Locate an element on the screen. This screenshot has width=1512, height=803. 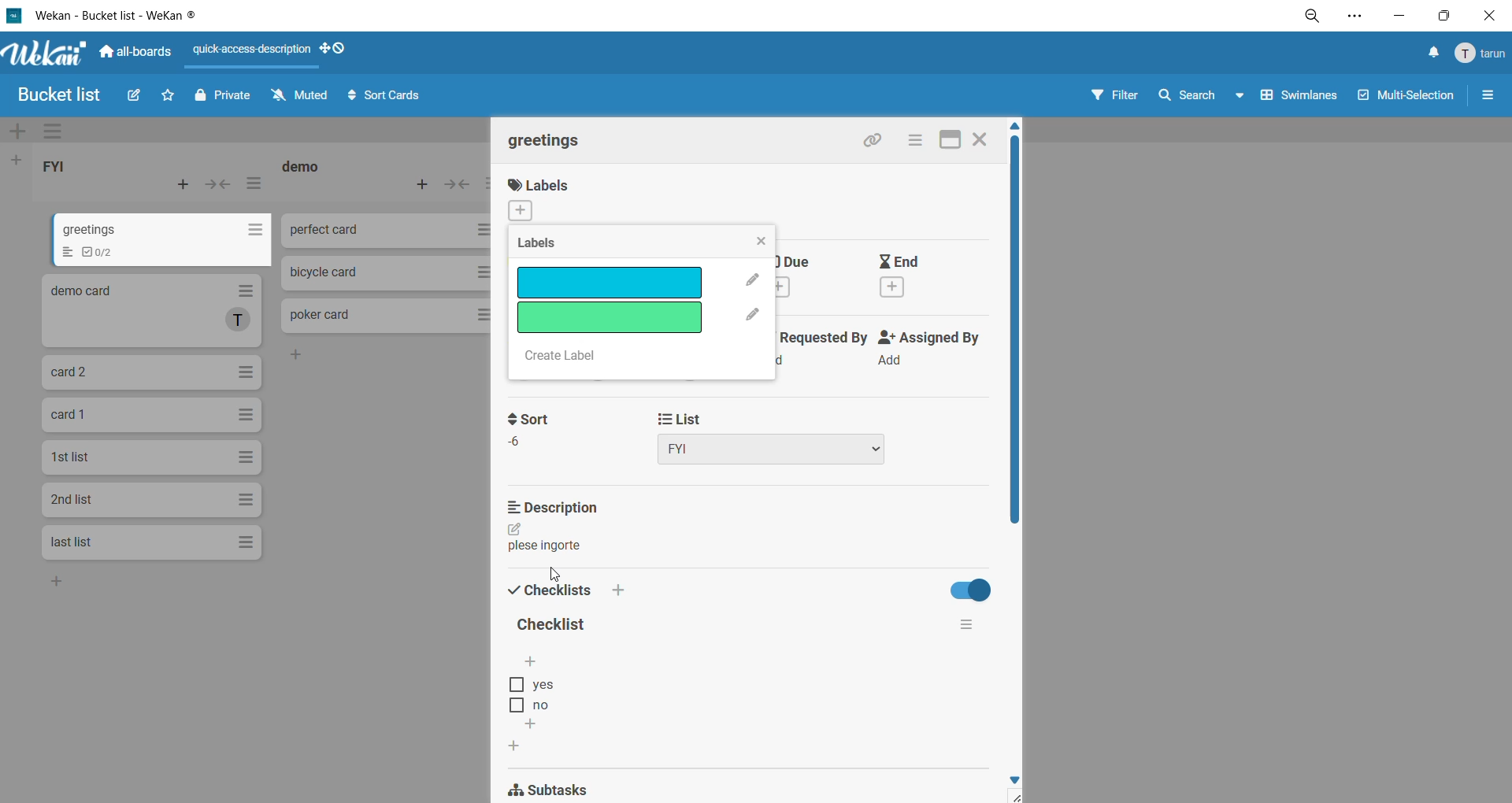
label is located at coordinates (614, 318).